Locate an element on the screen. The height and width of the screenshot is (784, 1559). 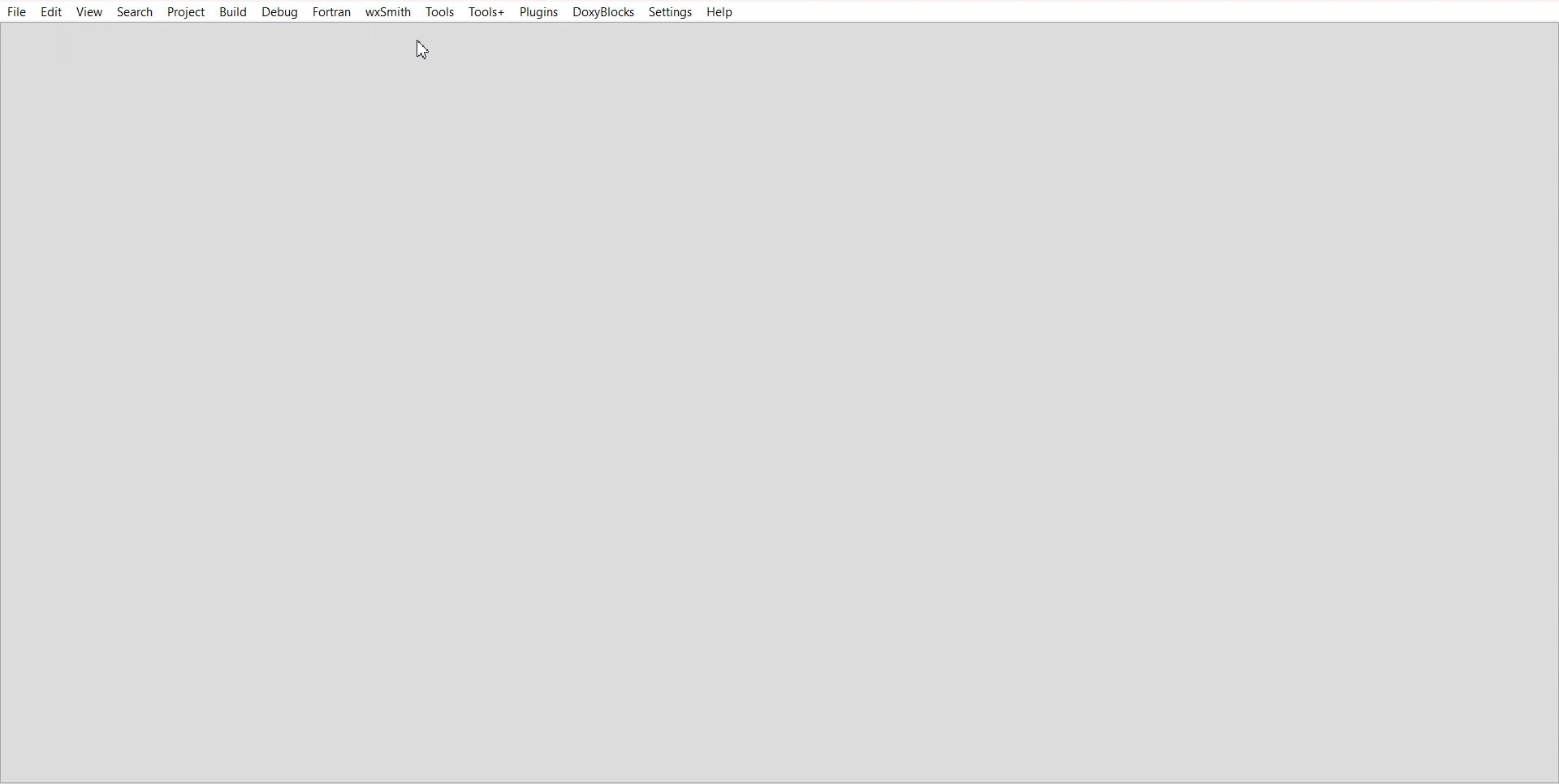
Build is located at coordinates (234, 12).